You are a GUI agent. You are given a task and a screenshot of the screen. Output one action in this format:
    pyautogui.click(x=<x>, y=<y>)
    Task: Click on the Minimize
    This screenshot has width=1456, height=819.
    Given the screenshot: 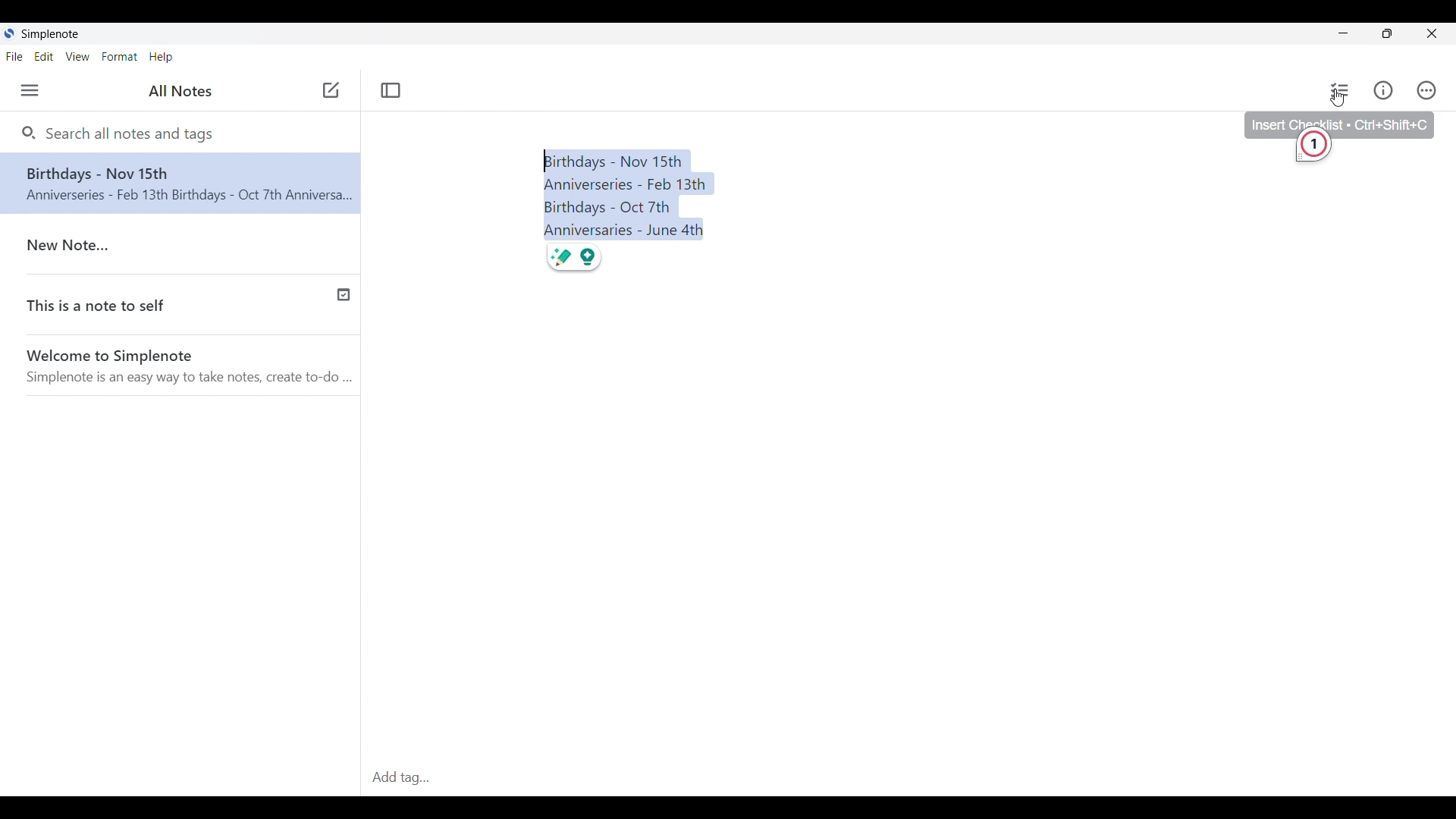 What is the action you would take?
    pyautogui.click(x=1344, y=33)
    